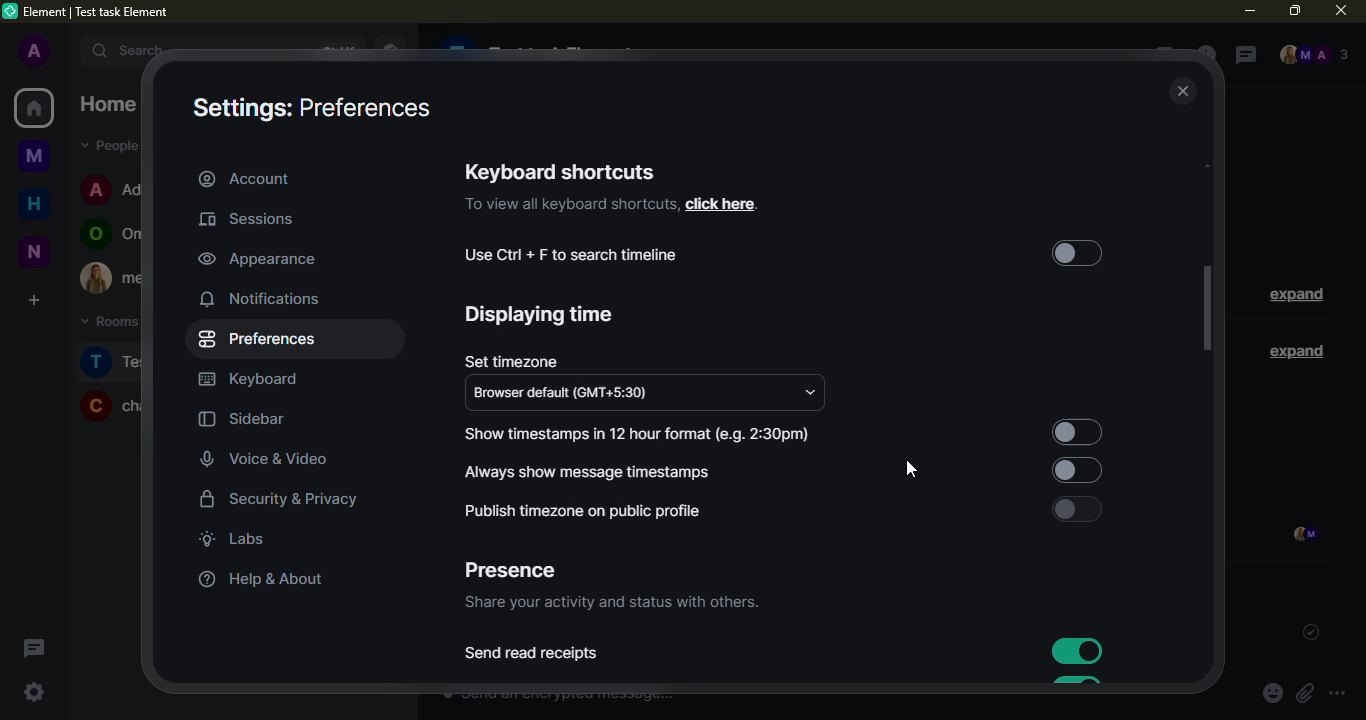 The height and width of the screenshot is (720, 1366). What do you see at coordinates (1077, 255) in the screenshot?
I see `enable` at bounding box center [1077, 255].